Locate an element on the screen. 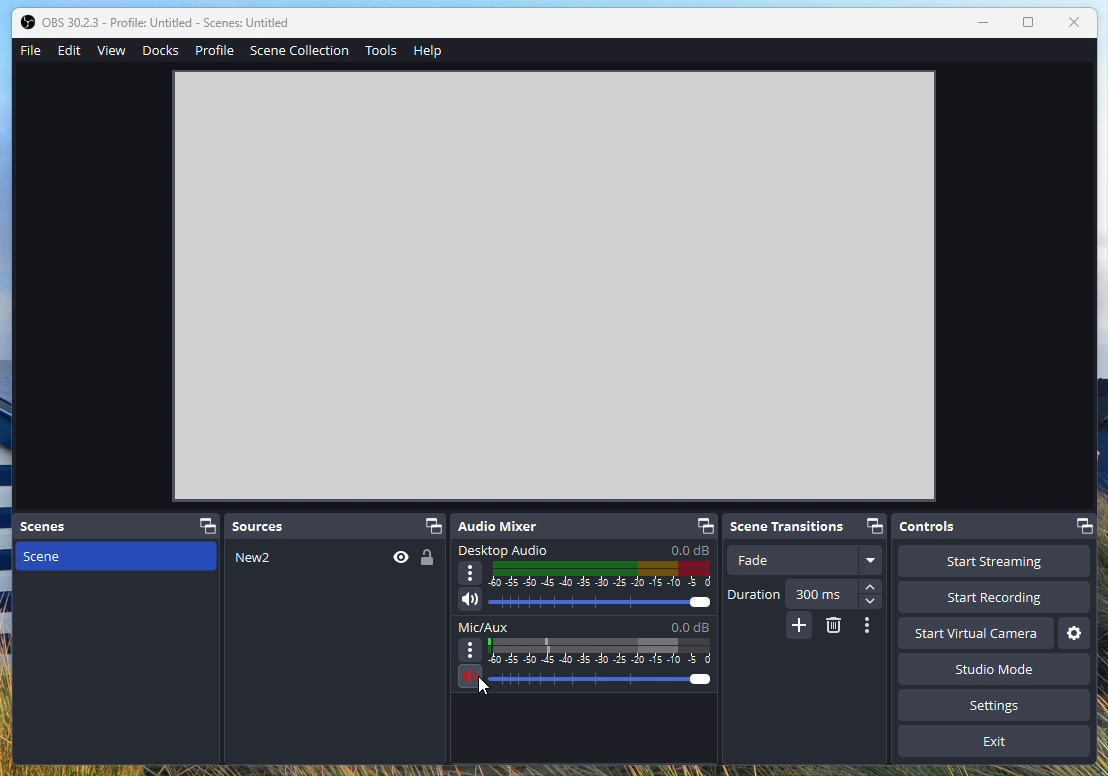 The width and height of the screenshot is (1108, 776). Scene Transitions is located at coordinates (808, 527).